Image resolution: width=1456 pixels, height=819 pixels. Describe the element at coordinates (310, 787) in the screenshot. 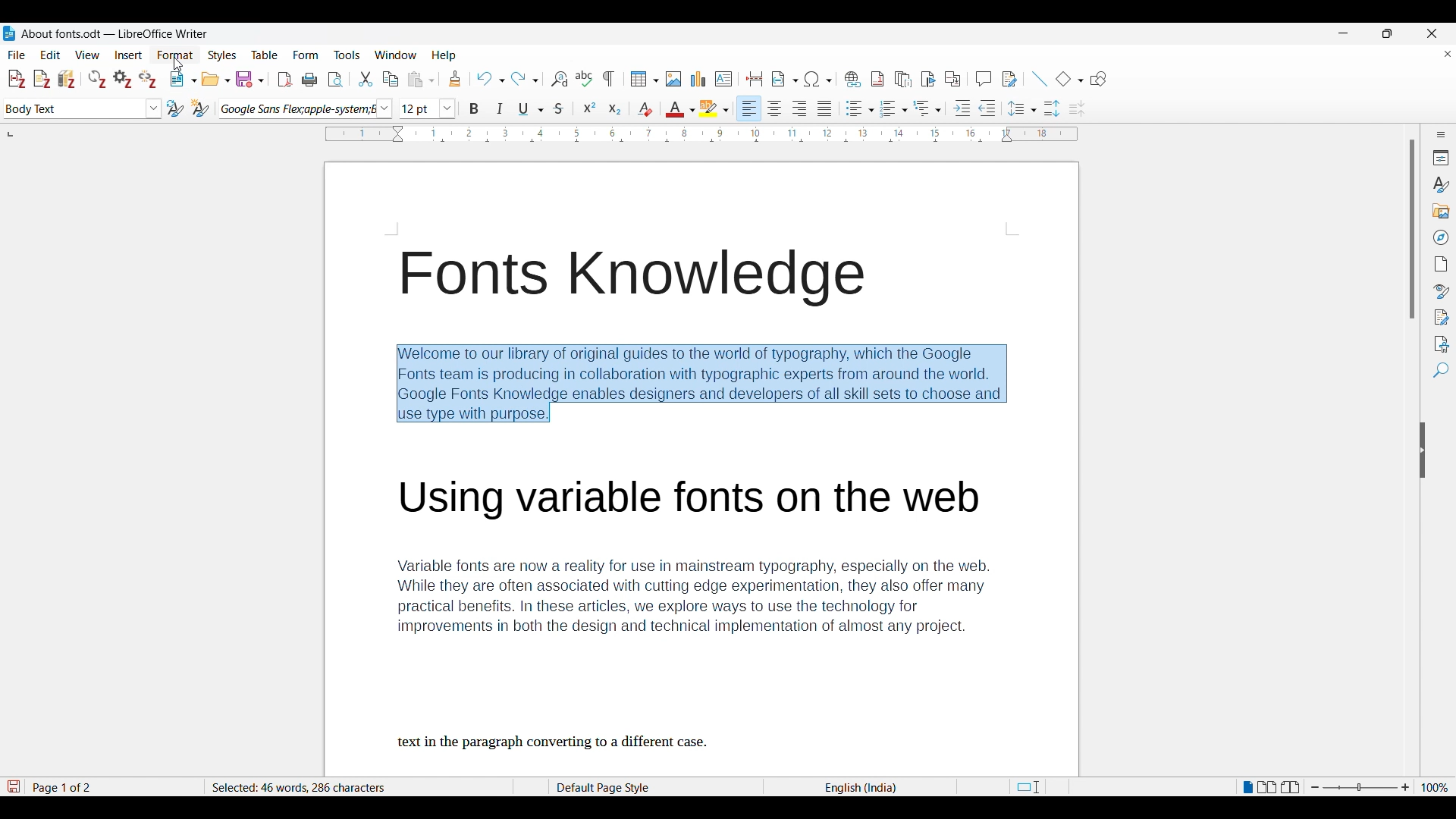

I see `Words and character count of selected text` at that location.